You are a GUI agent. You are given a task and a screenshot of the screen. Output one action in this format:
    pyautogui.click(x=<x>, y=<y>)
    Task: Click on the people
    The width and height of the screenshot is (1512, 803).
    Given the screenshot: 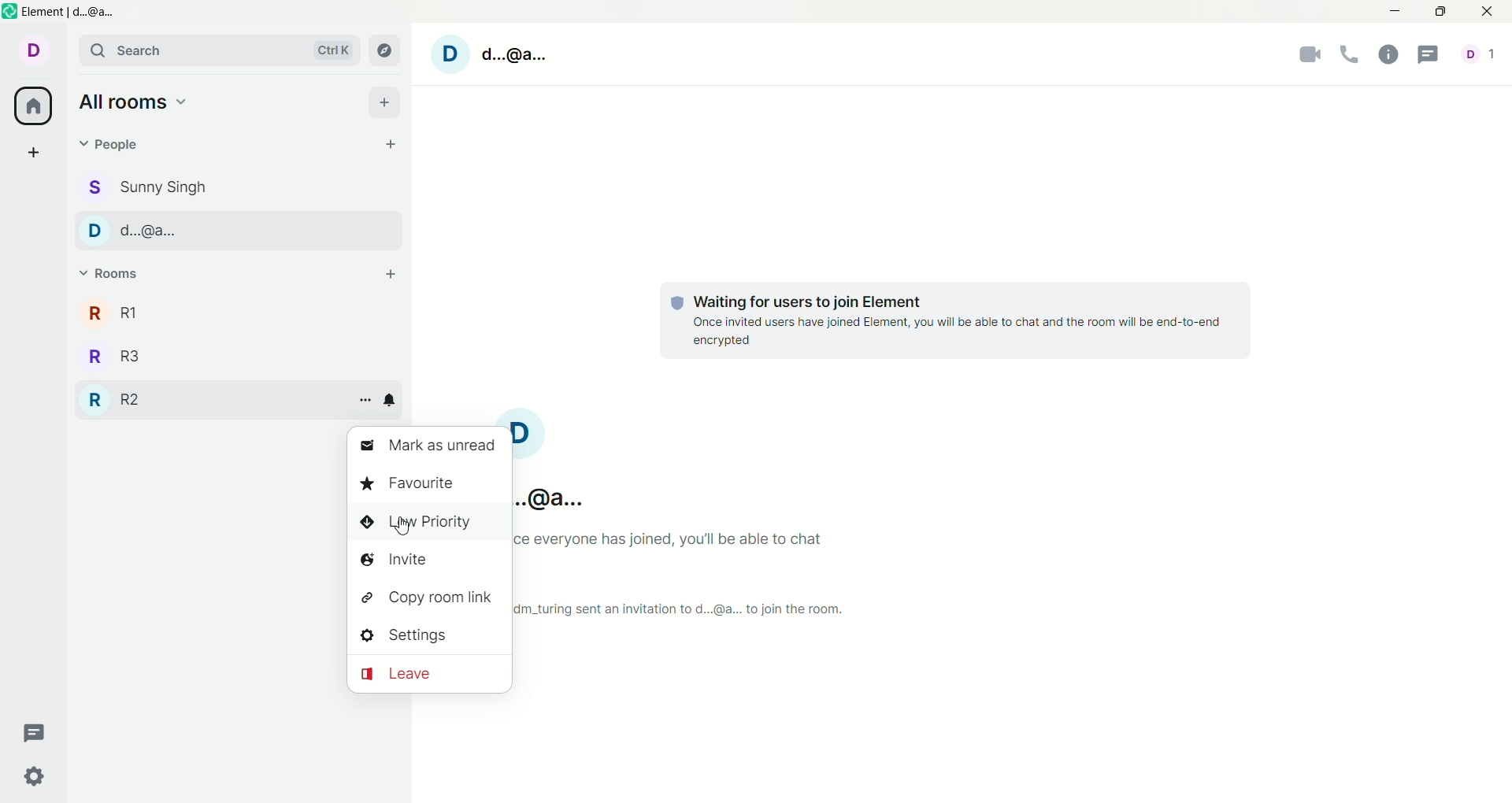 What is the action you would take?
    pyautogui.click(x=147, y=187)
    